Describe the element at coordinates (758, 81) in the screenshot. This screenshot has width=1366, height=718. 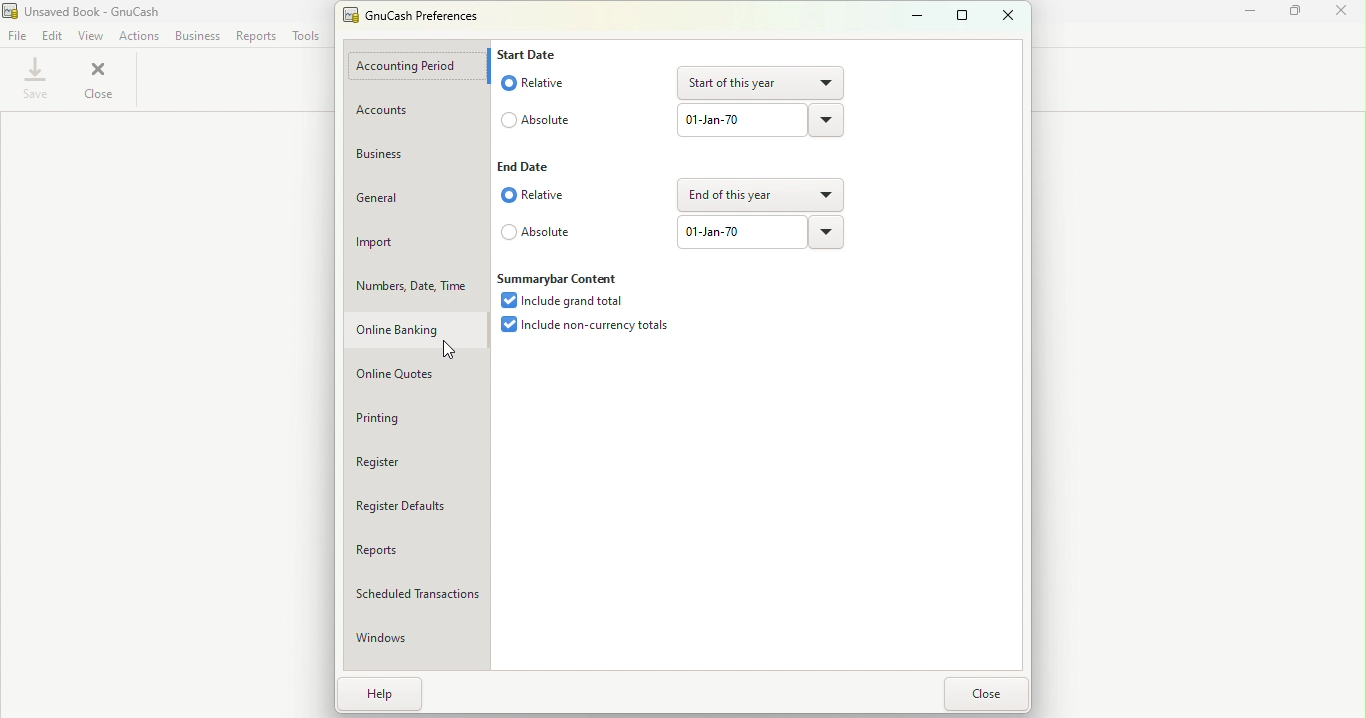
I see `Start of this year` at that location.